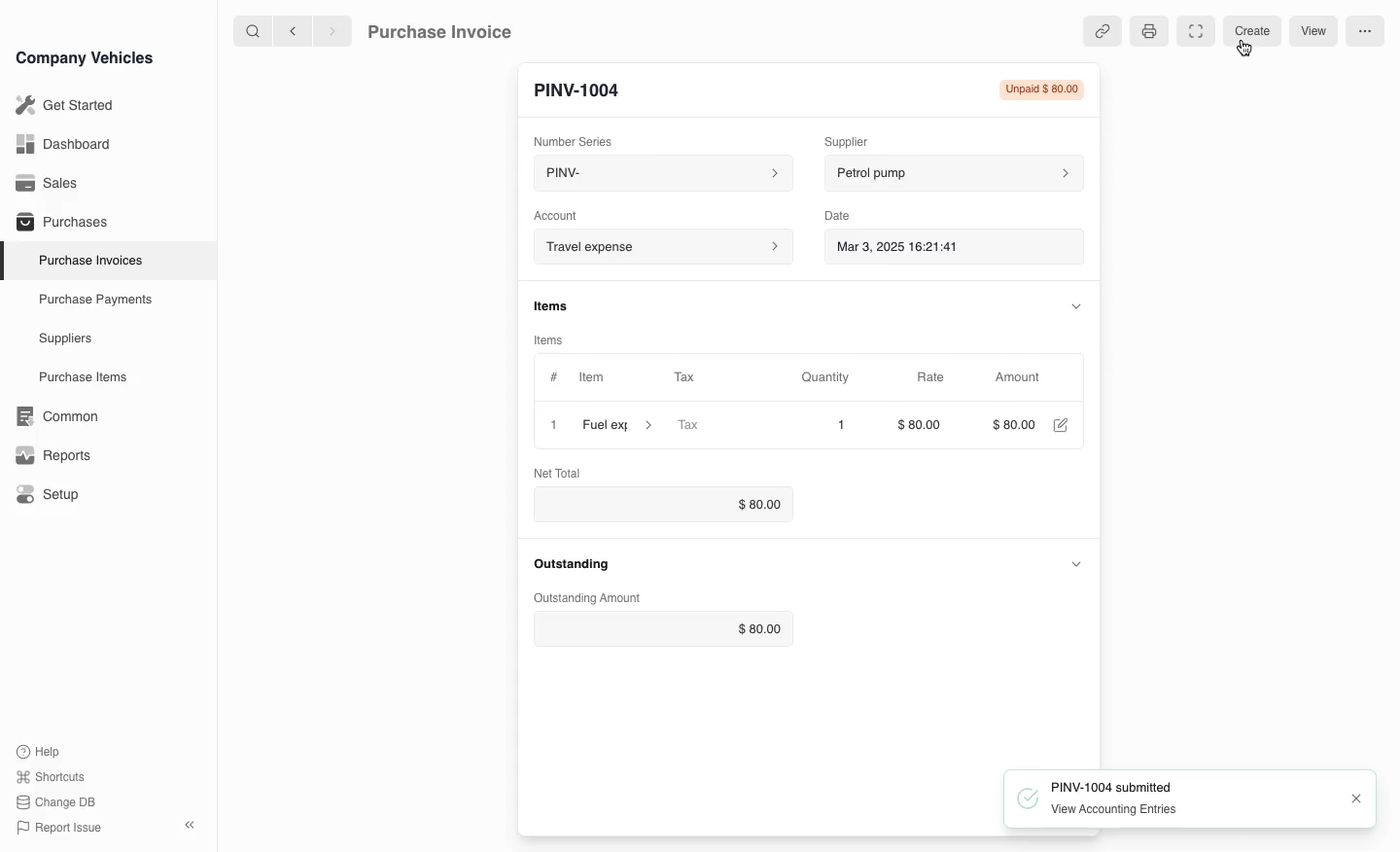  What do you see at coordinates (76, 377) in the screenshot?
I see `Purchase items` at bounding box center [76, 377].